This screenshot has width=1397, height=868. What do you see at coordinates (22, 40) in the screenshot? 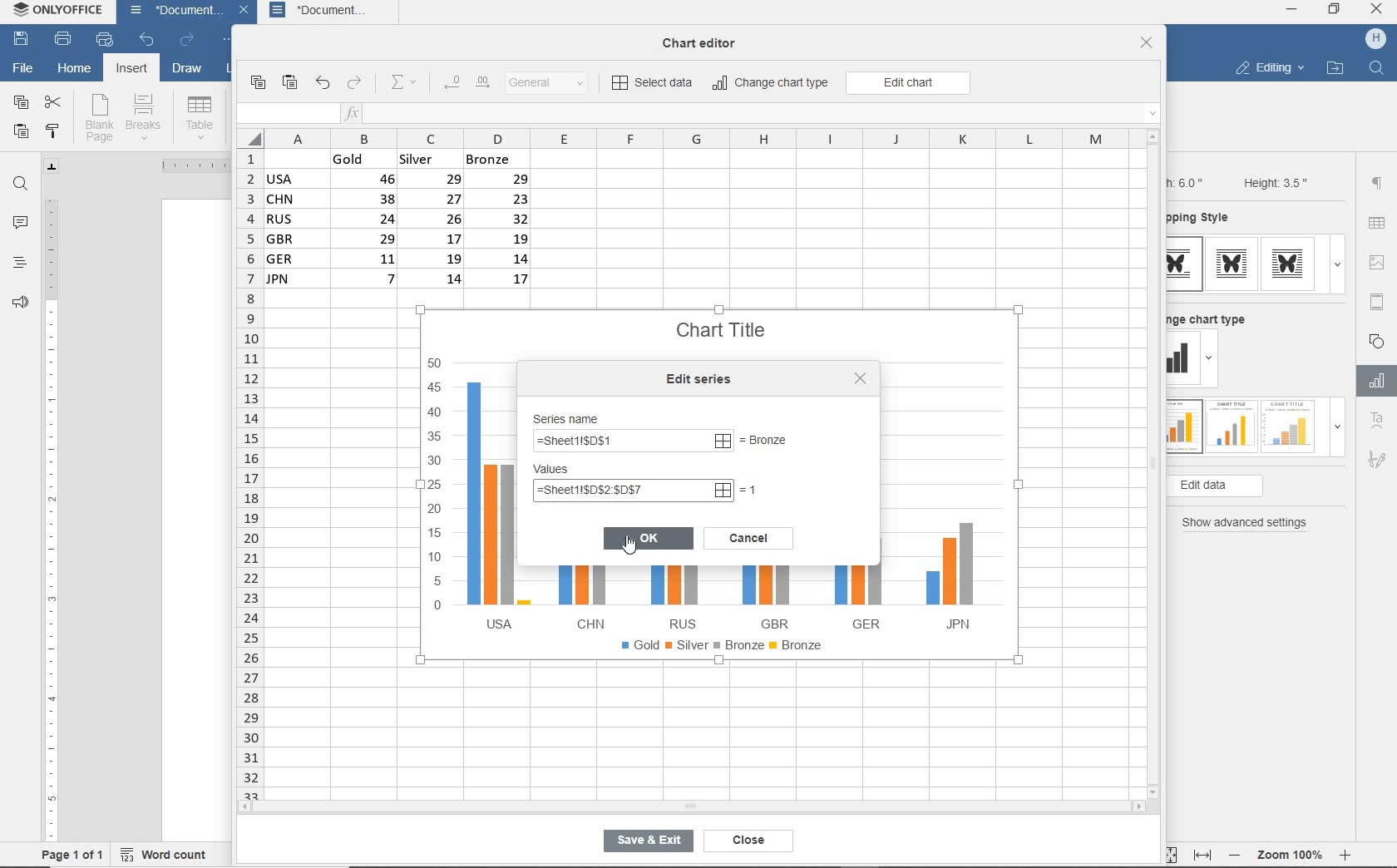
I see `save` at bounding box center [22, 40].